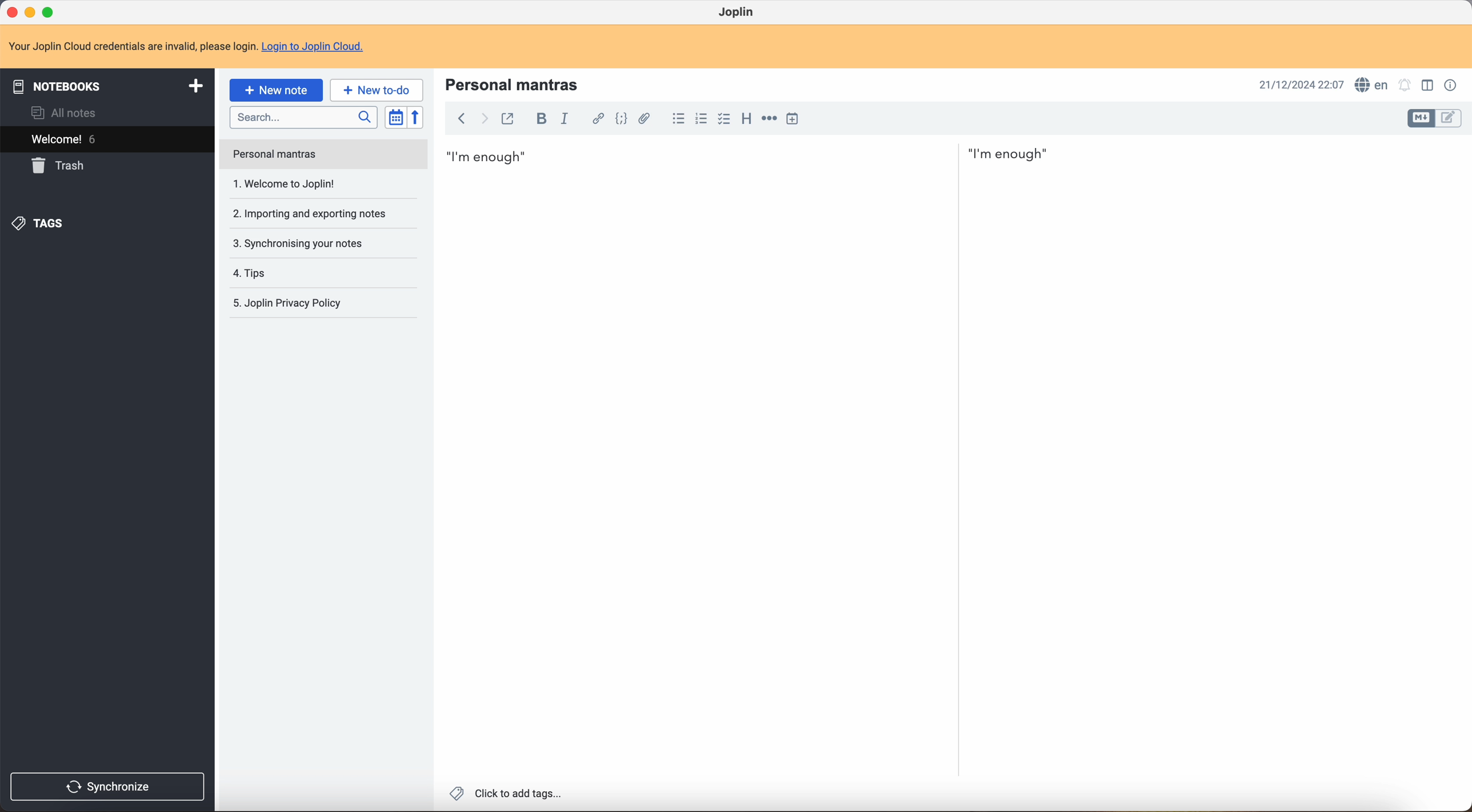  Describe the element at coordinates (770, 121) in the screenshot. I see `horizontal rule` at that location.